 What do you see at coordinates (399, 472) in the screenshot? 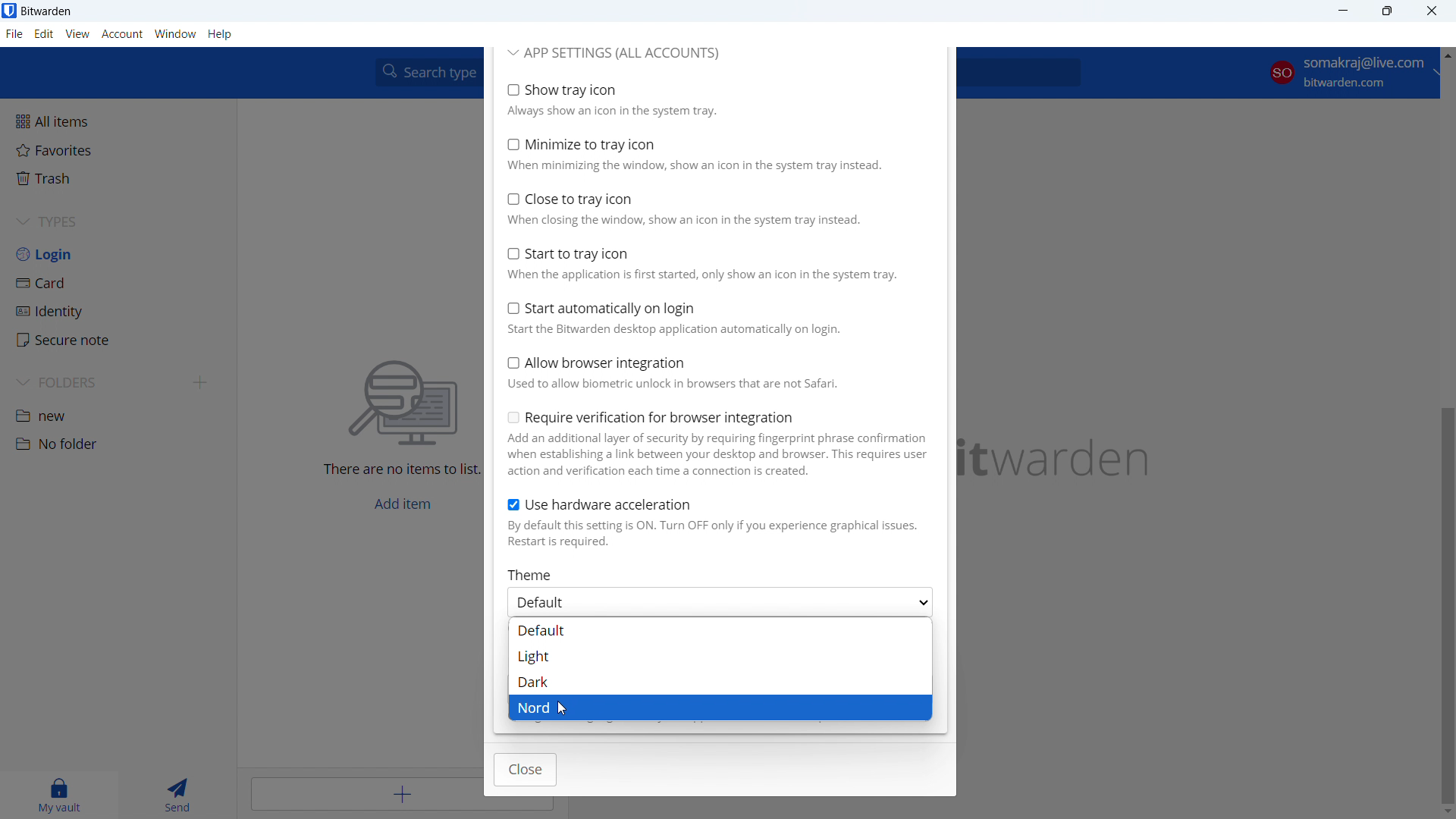
I see `There are no items to list.` at bounding box center [399, 472].